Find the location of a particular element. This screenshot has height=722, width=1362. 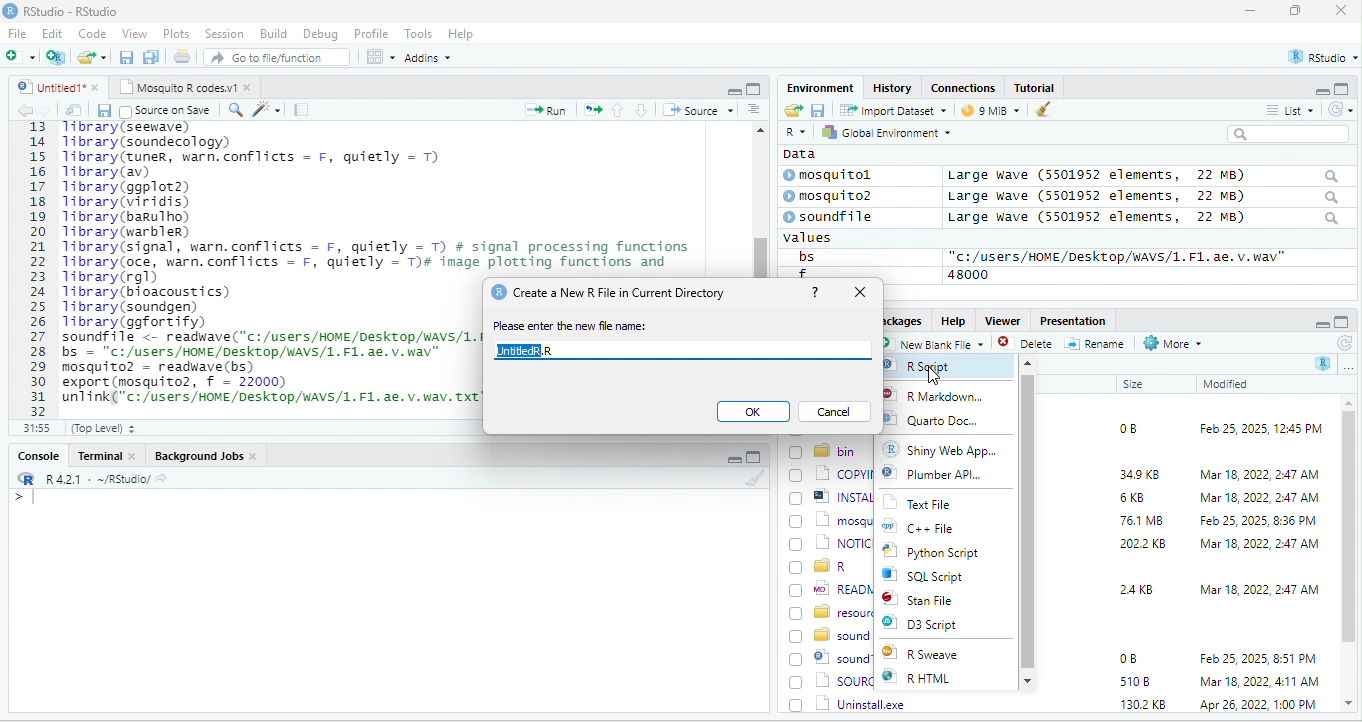

‘| COPYING is located at coordinates (831, 473).